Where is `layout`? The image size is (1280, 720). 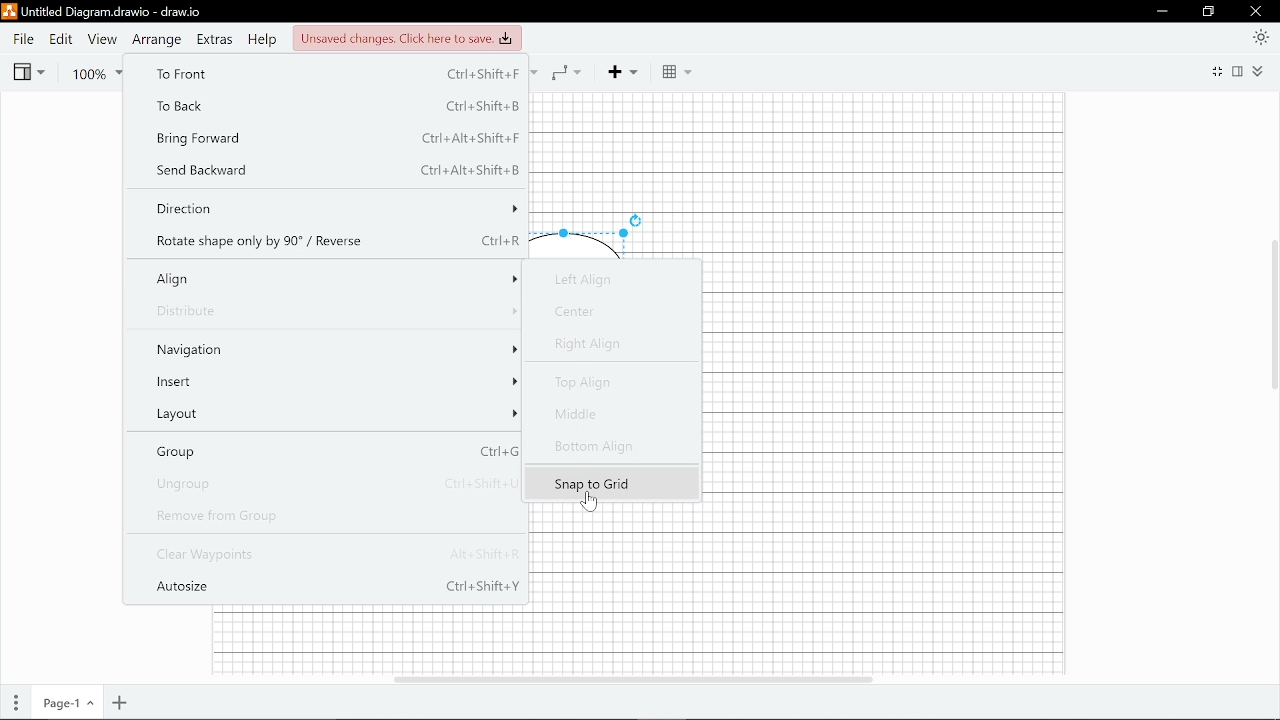
layout is located at coordinates (334, 417).